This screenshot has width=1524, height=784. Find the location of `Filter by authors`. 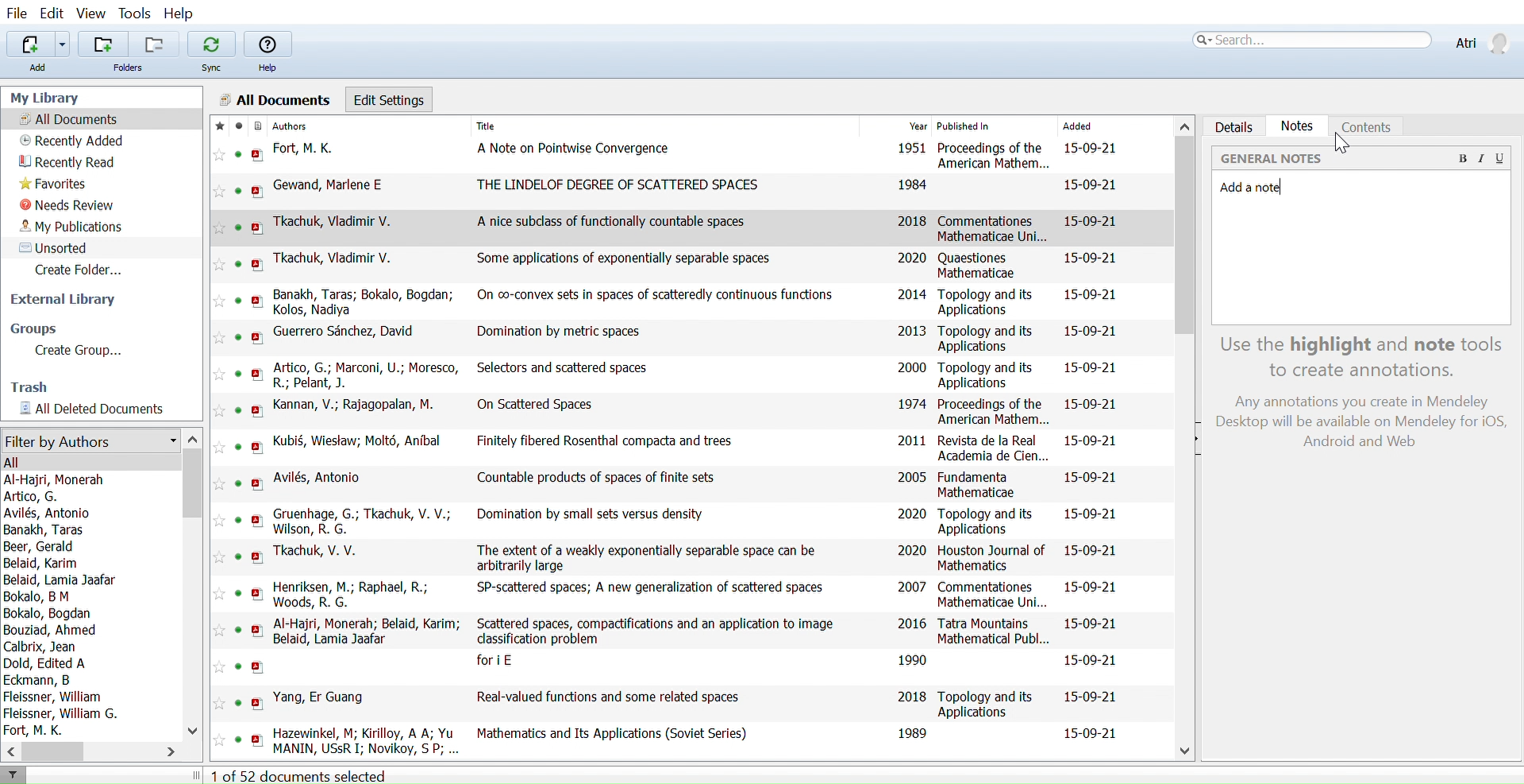

Filter by authors is located at coordinates (89, 442).